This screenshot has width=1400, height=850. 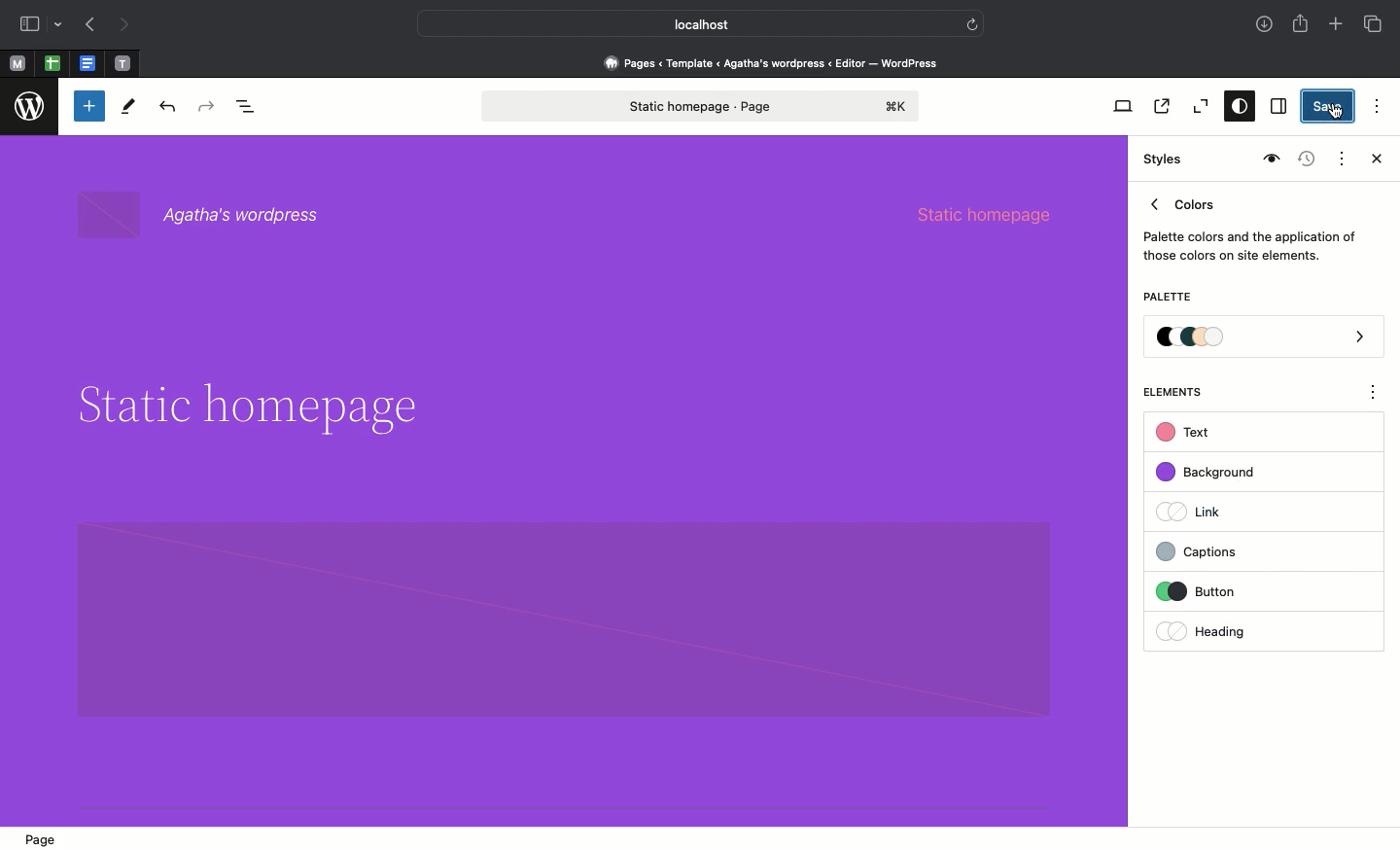 I want to click on Redo, so click(x=209, y=107).